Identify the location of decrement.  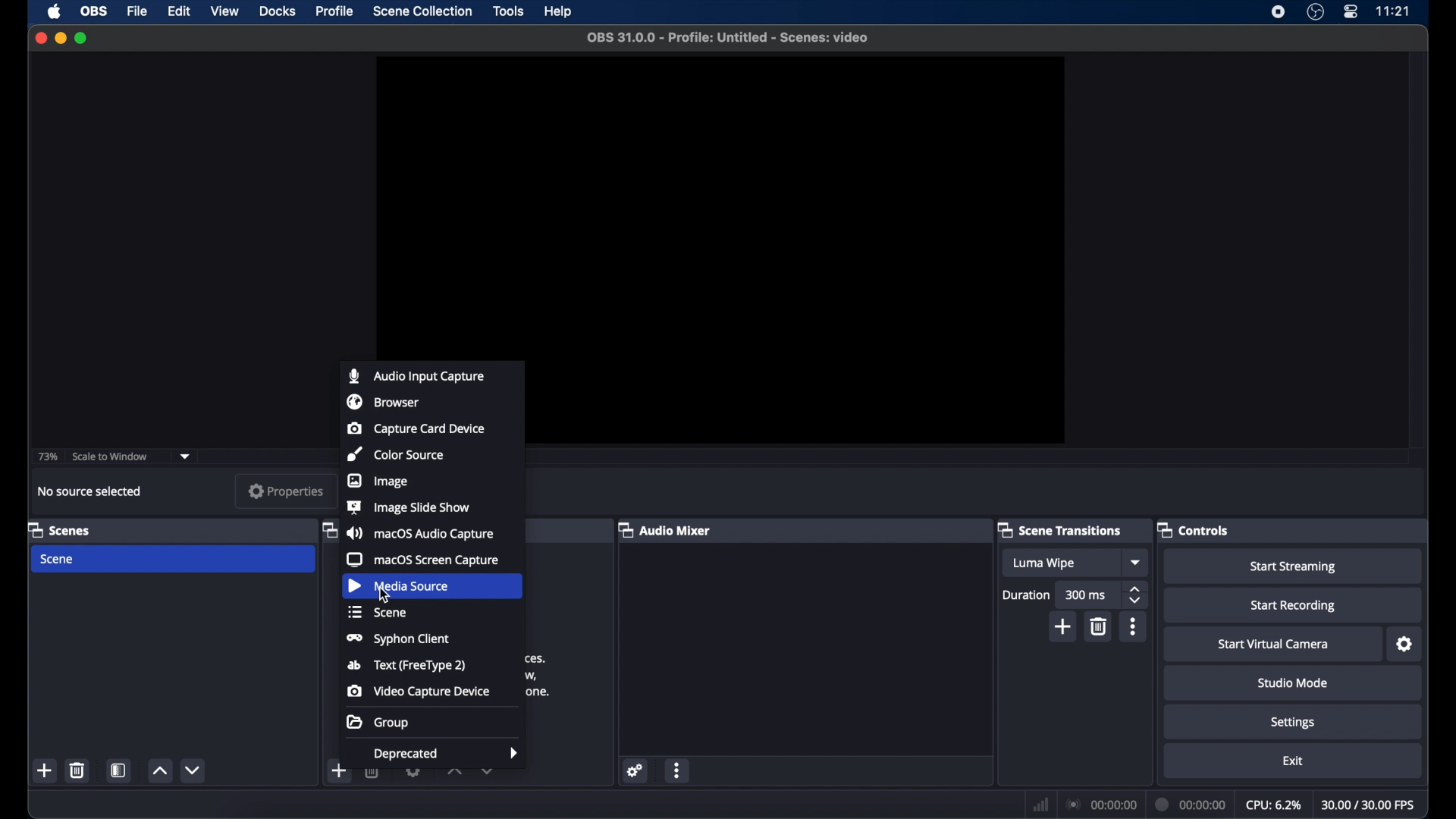
(193, 770).